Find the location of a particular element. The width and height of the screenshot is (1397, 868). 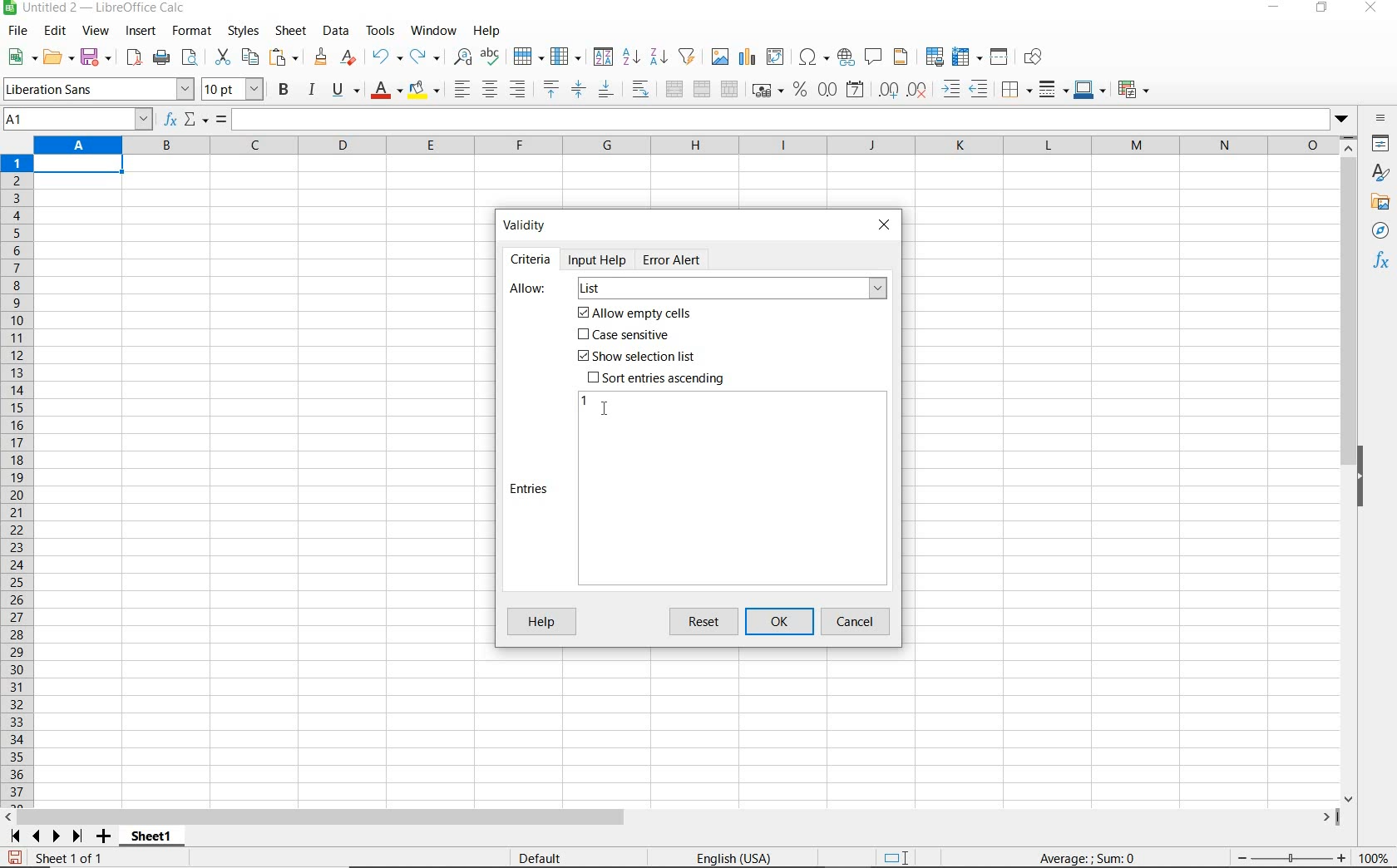

Criteria is located at coordinates (531, 259).